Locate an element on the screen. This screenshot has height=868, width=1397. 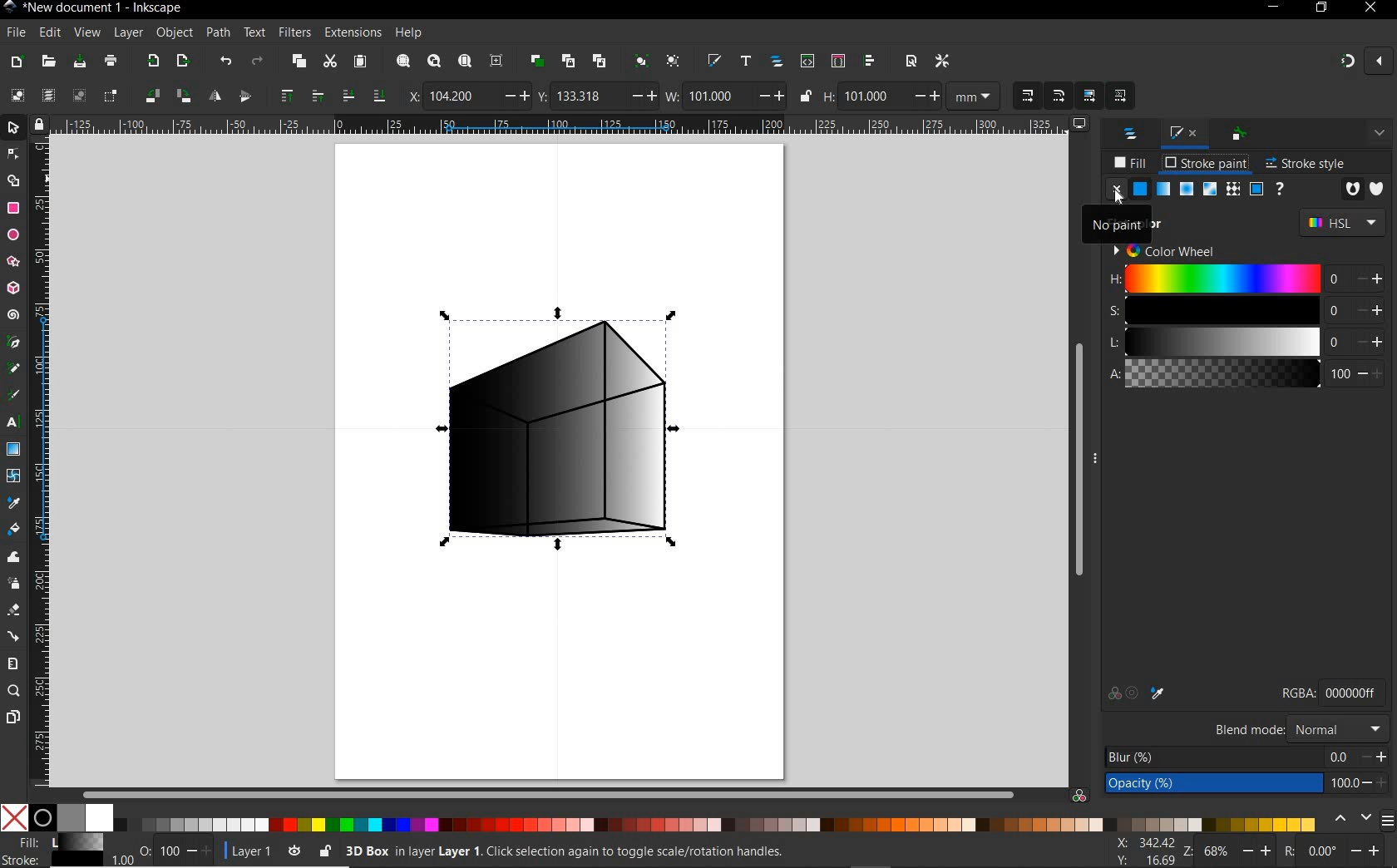
menu is located at coordinates (1388, 820).